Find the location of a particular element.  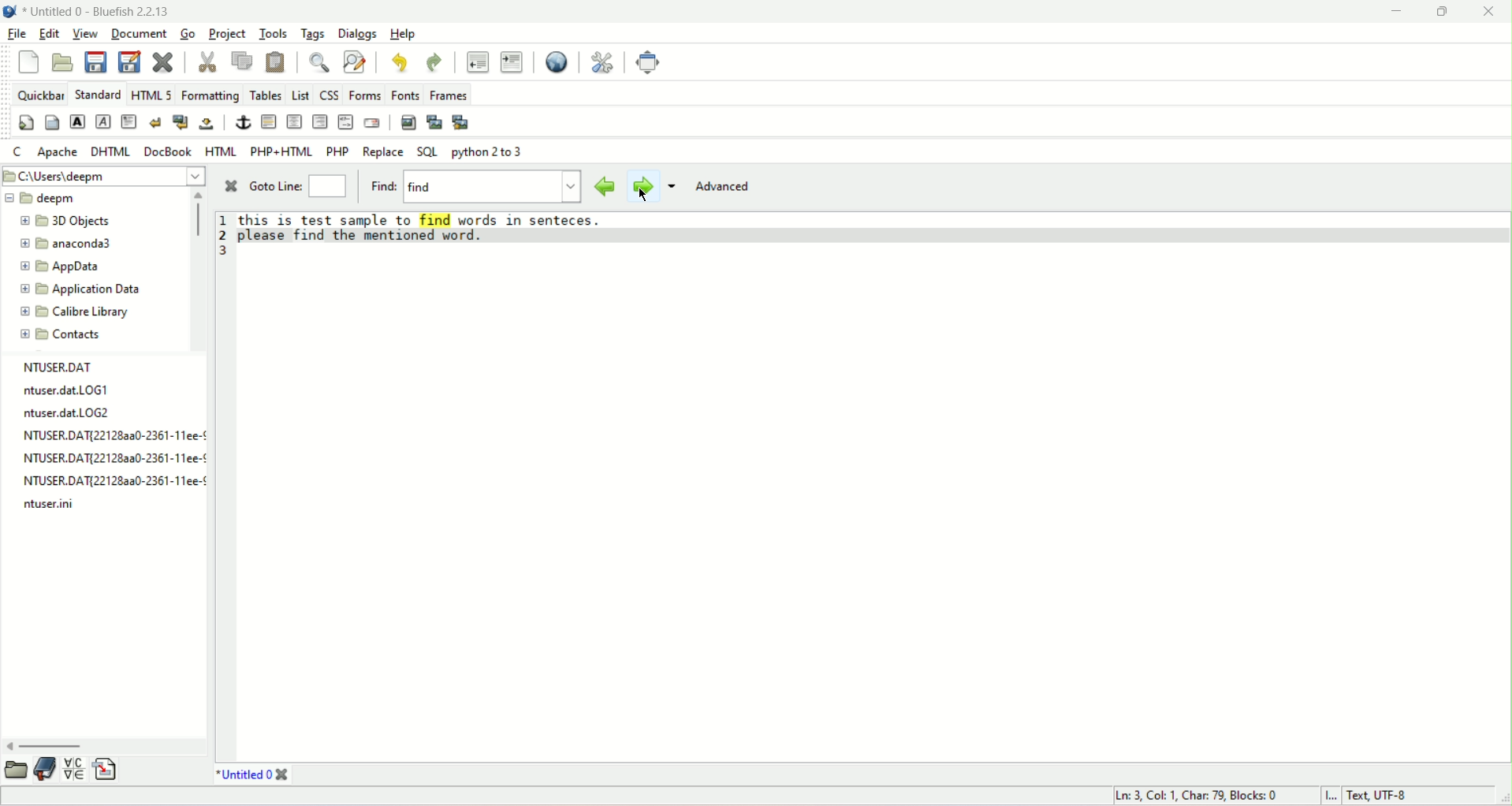

cursor is located at coordinates (645, 193).